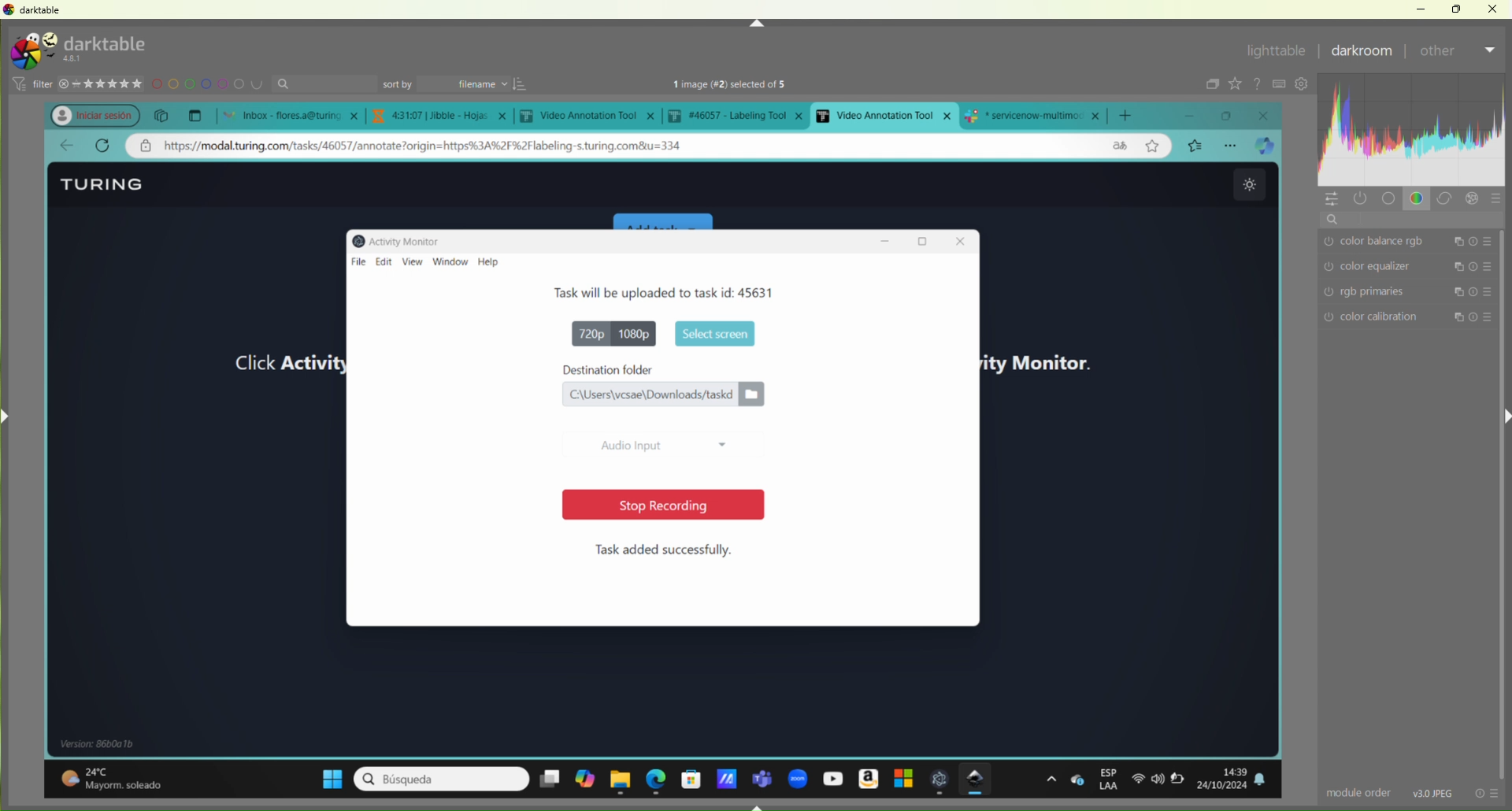  What do you see at coordinates (661, 442) in the screenshot?
I see `Audio input` at bounding box center [661, 442].